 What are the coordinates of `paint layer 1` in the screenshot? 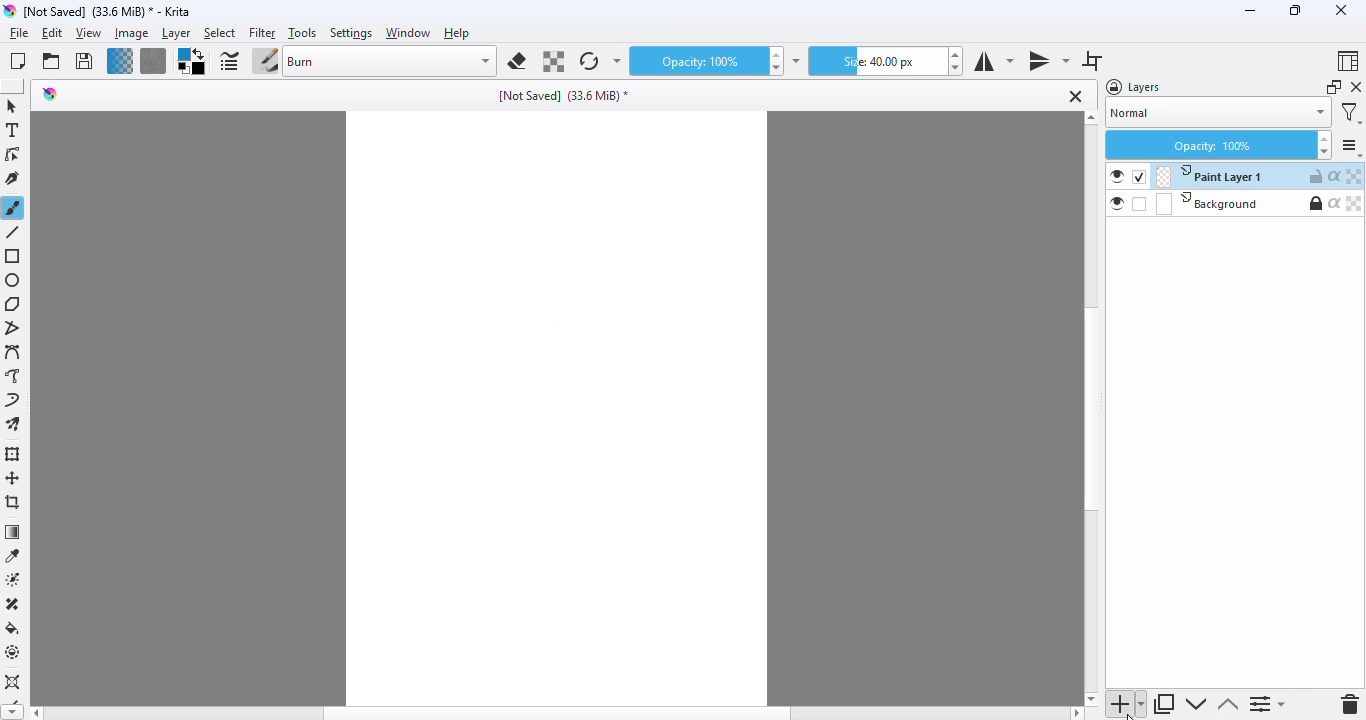 It's located at (1209, 176).